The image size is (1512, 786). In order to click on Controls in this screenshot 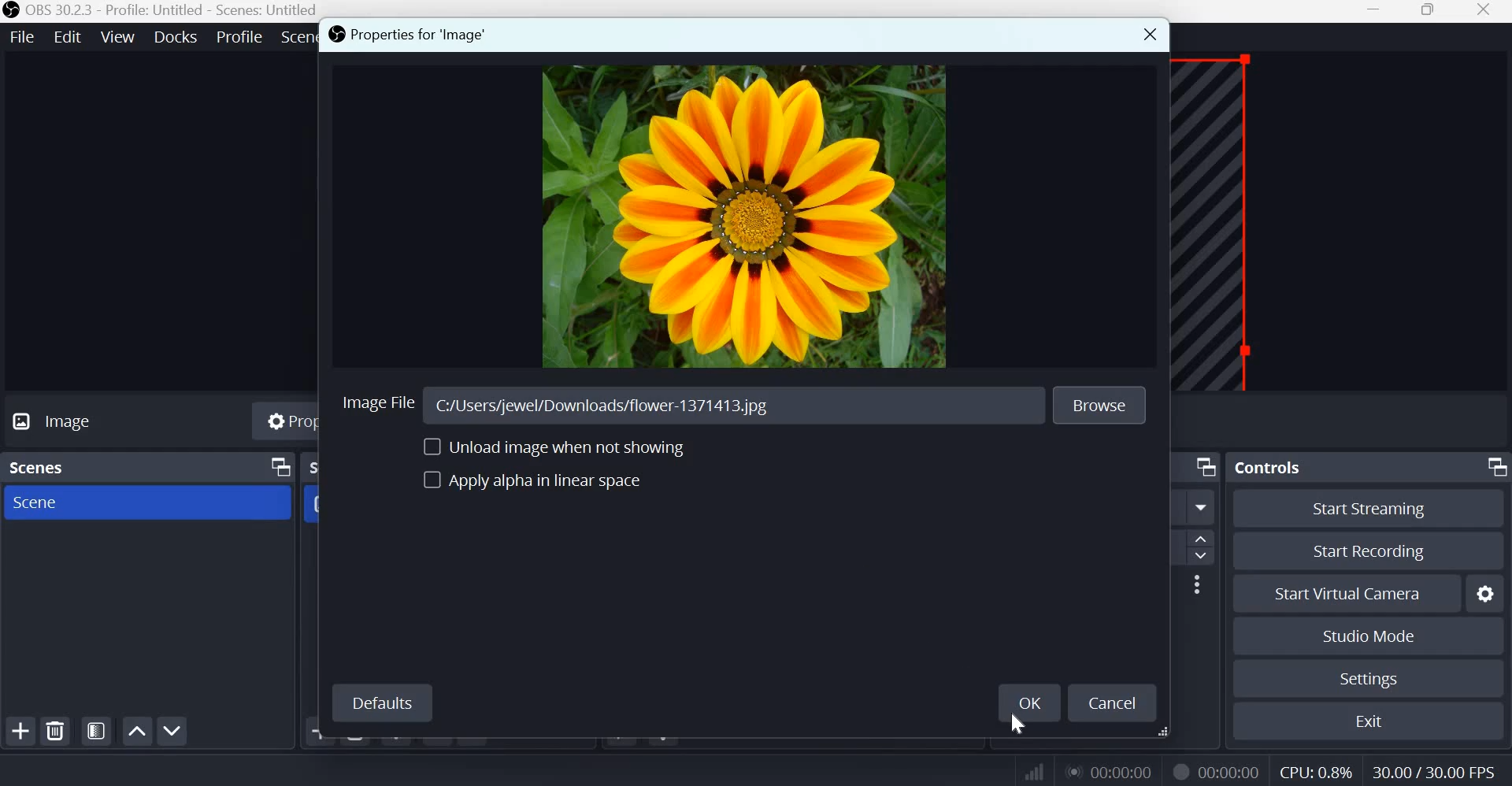, I will do `click(1268, 466)`.